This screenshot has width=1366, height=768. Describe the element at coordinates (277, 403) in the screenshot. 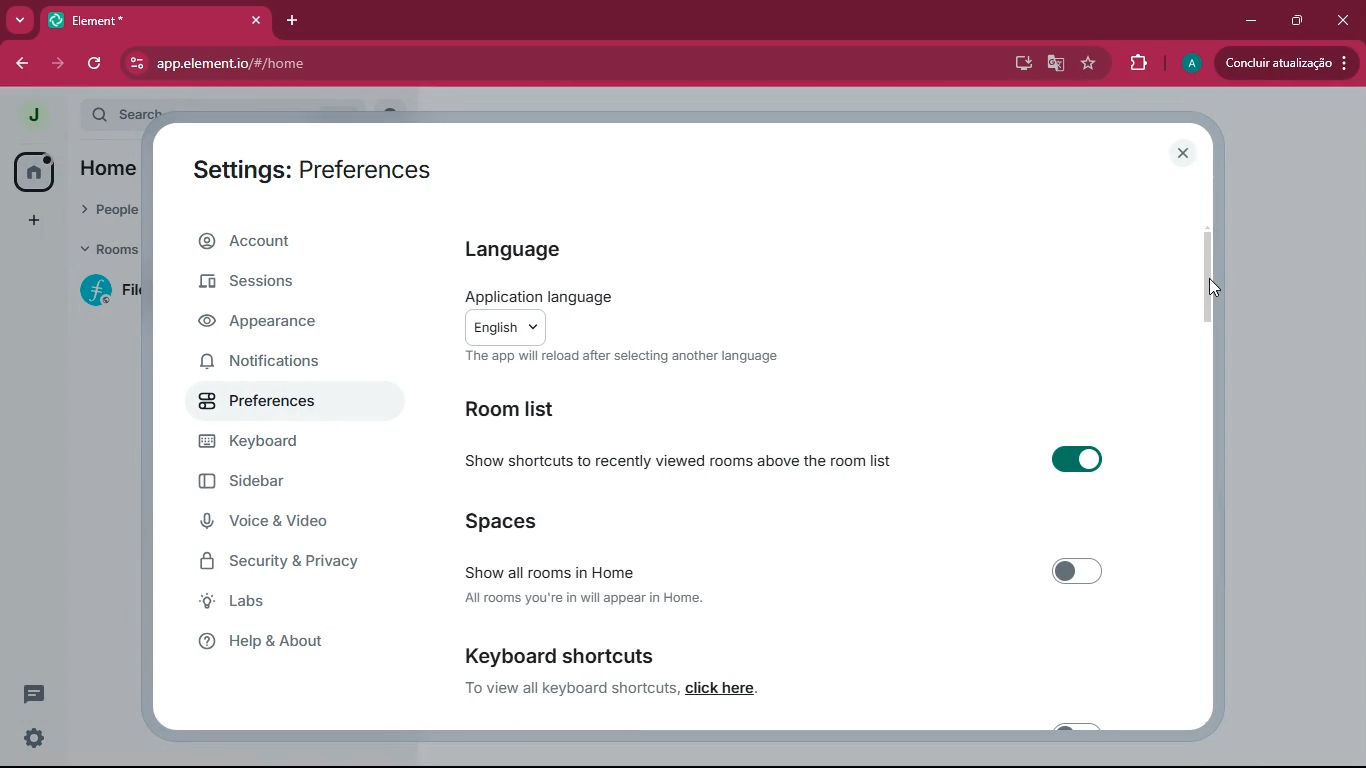

I see `preferences` at that location.